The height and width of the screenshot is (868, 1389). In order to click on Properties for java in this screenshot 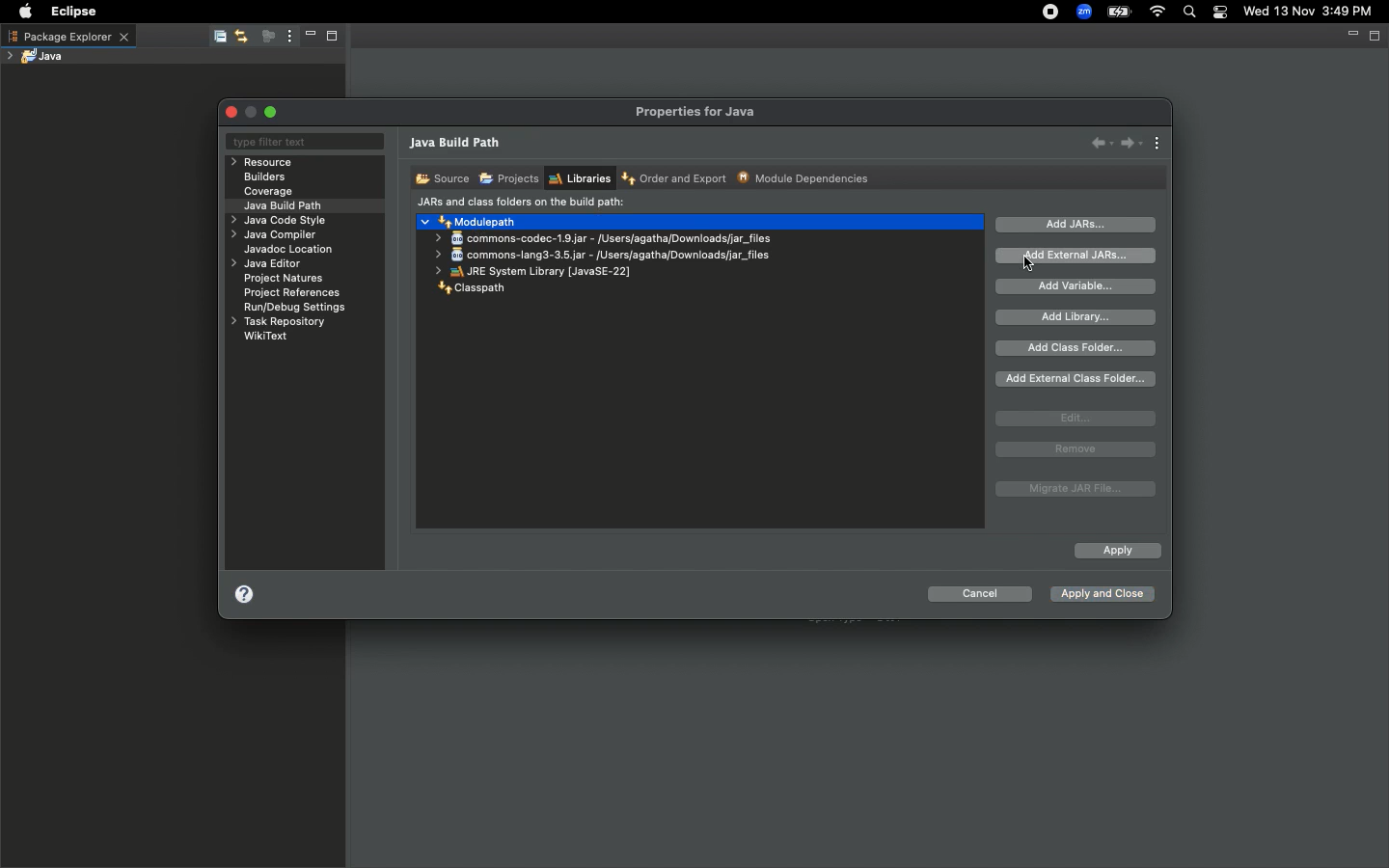, I will do `click(697, 112)`.